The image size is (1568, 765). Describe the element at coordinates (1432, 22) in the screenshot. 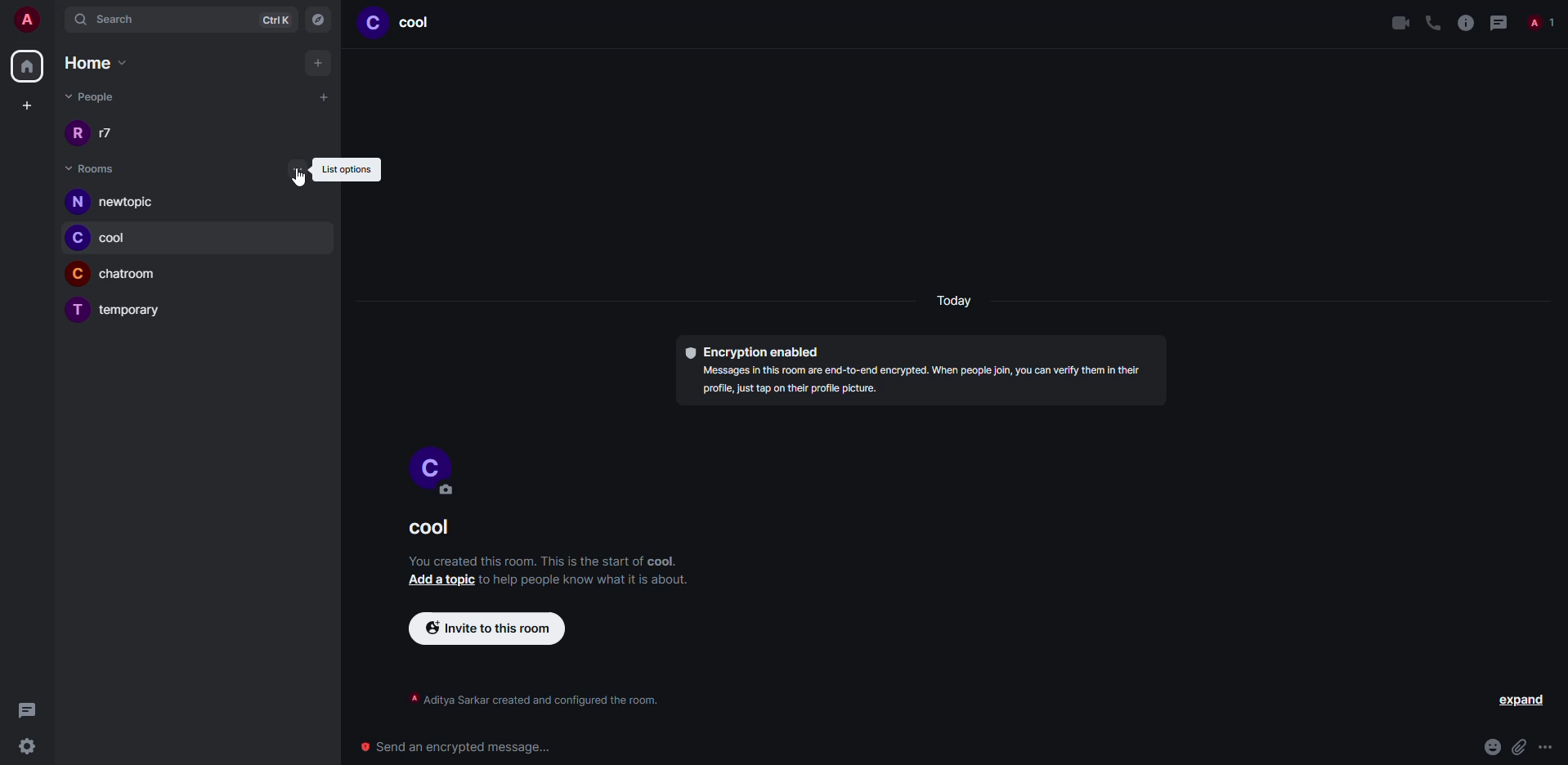

I see `voice call` at that location.